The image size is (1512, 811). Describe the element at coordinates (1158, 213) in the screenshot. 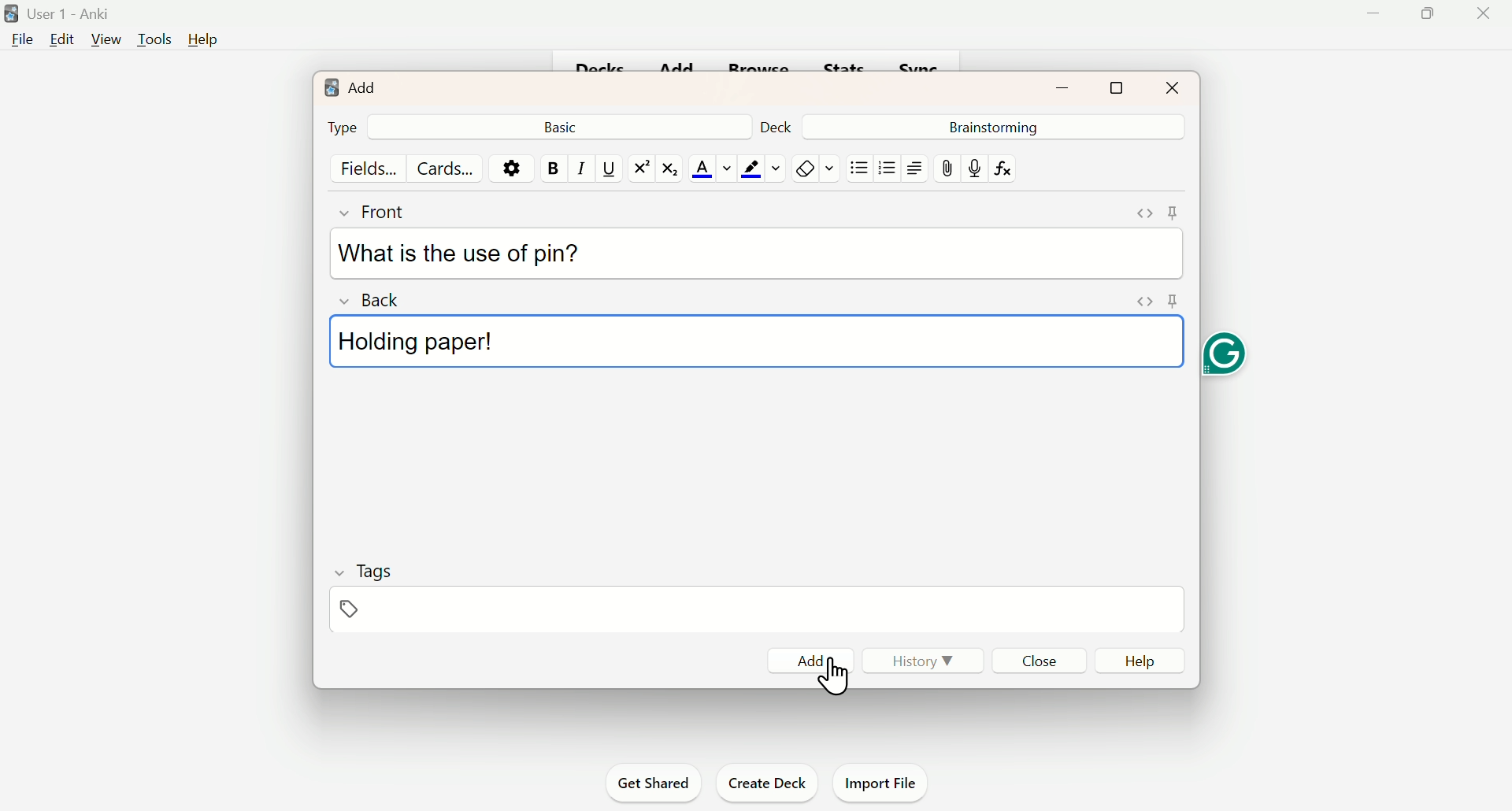

I see `Pins` at that location.